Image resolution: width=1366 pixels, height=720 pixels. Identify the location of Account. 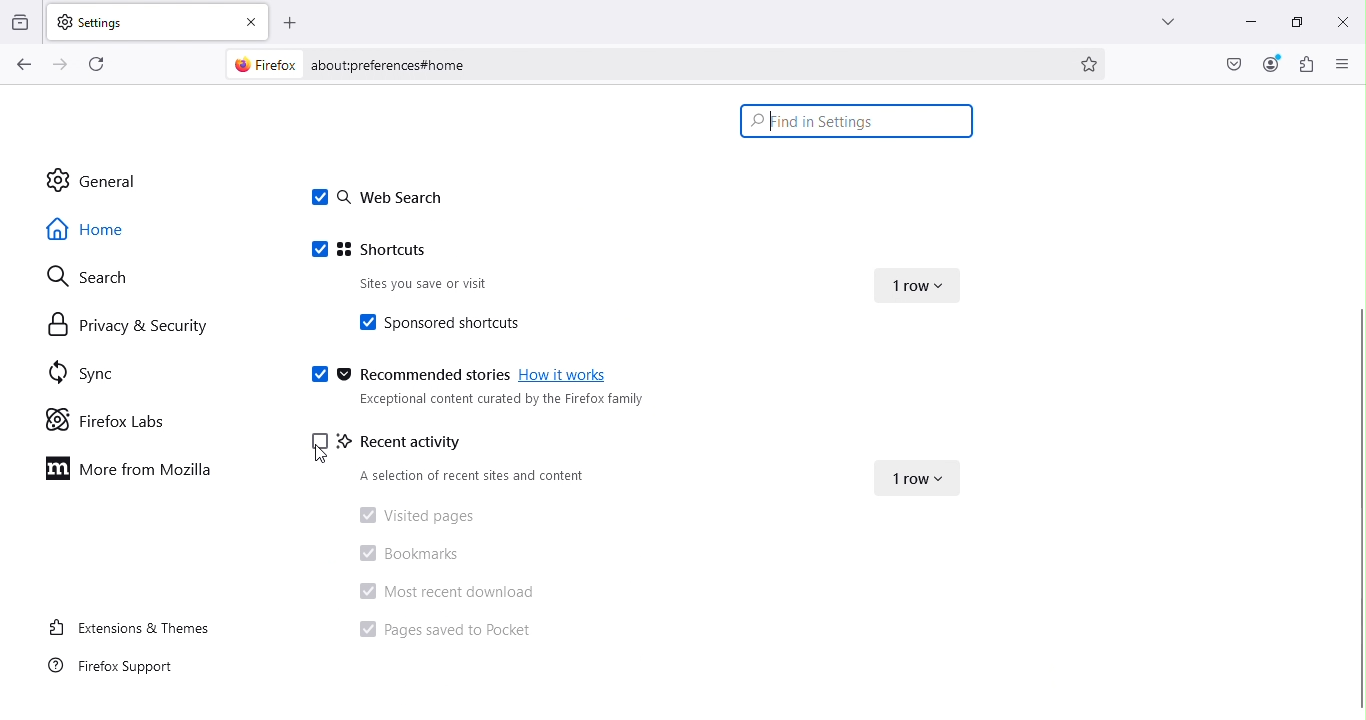
(1271, 64).